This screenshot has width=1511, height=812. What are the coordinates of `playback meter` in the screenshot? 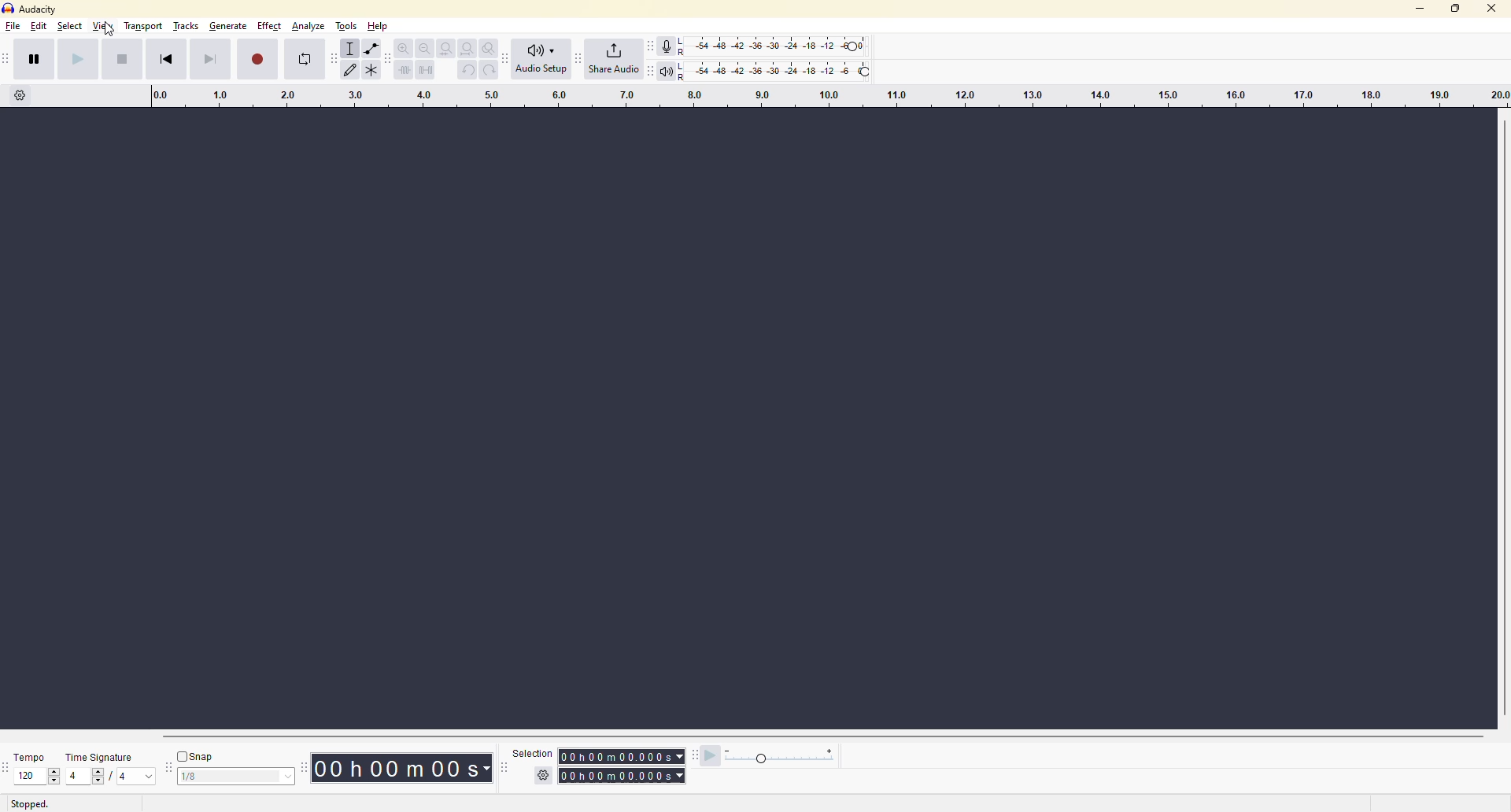 It's located at (671, 69).